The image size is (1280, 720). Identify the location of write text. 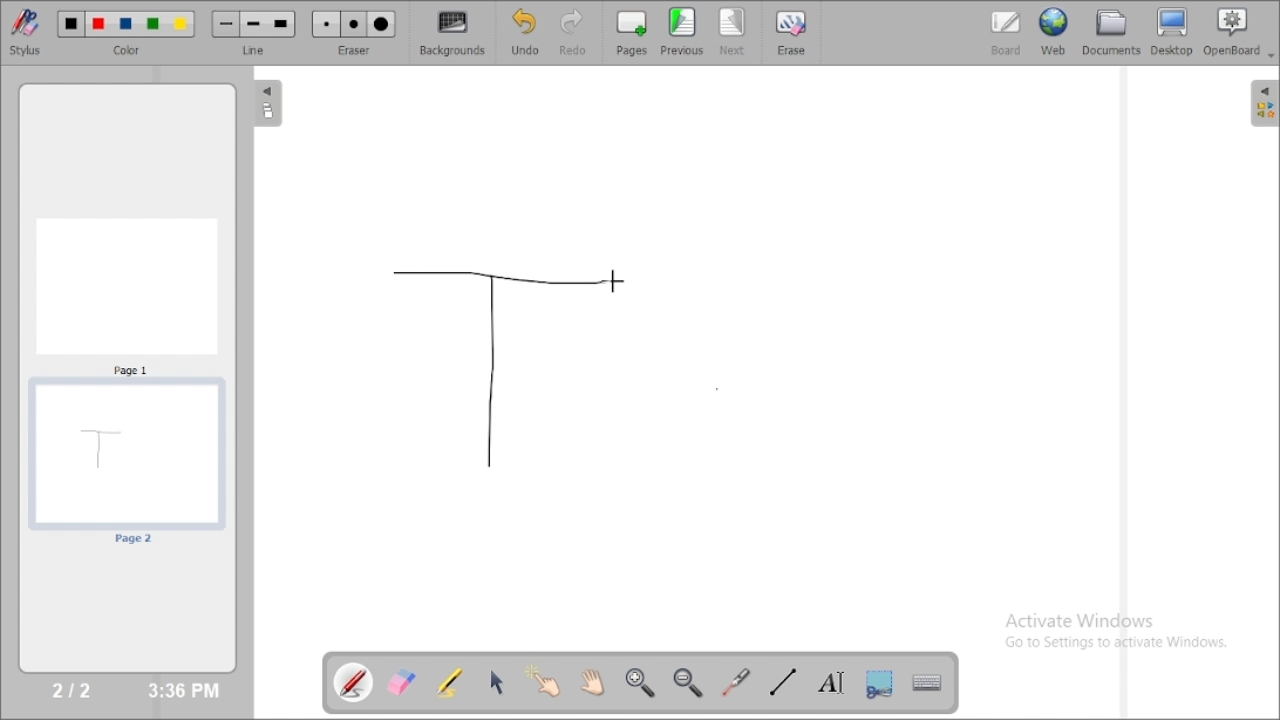
(831, 683).